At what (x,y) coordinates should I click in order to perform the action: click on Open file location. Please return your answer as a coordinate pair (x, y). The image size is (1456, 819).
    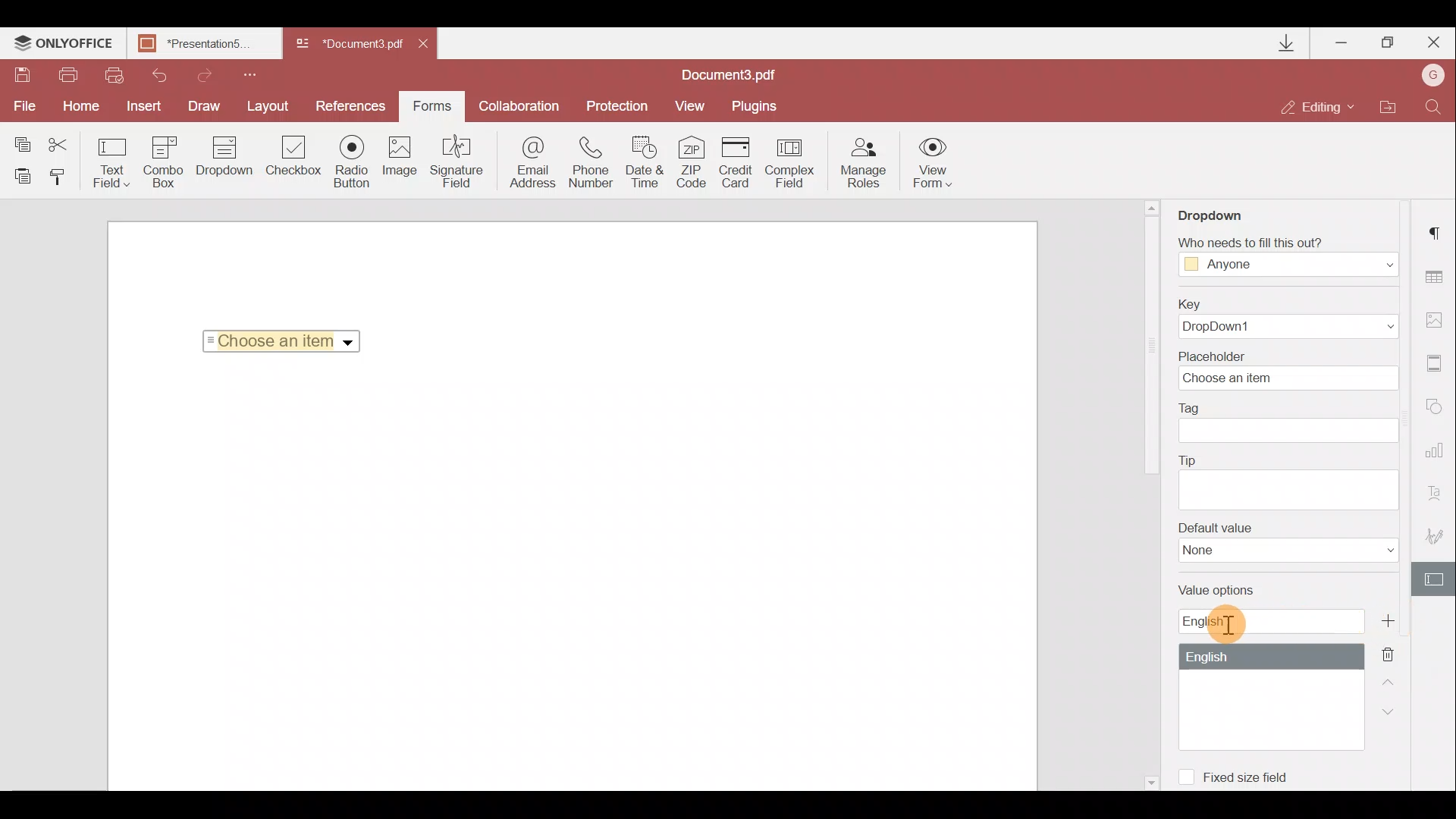
    Looking at the image, I should click on (1387, 108).